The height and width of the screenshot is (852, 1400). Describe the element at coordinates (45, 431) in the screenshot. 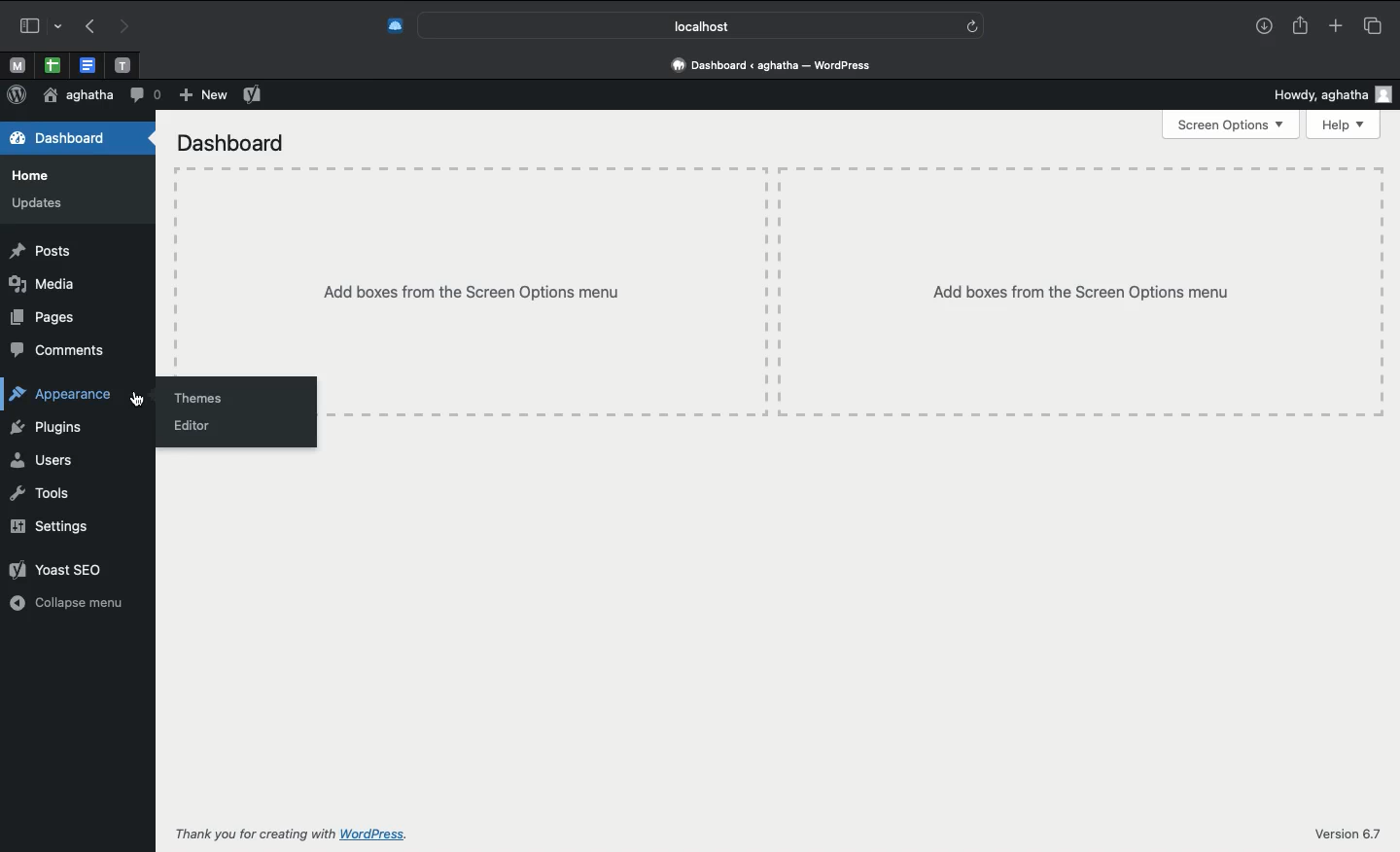

I see `Plugins` at that location.